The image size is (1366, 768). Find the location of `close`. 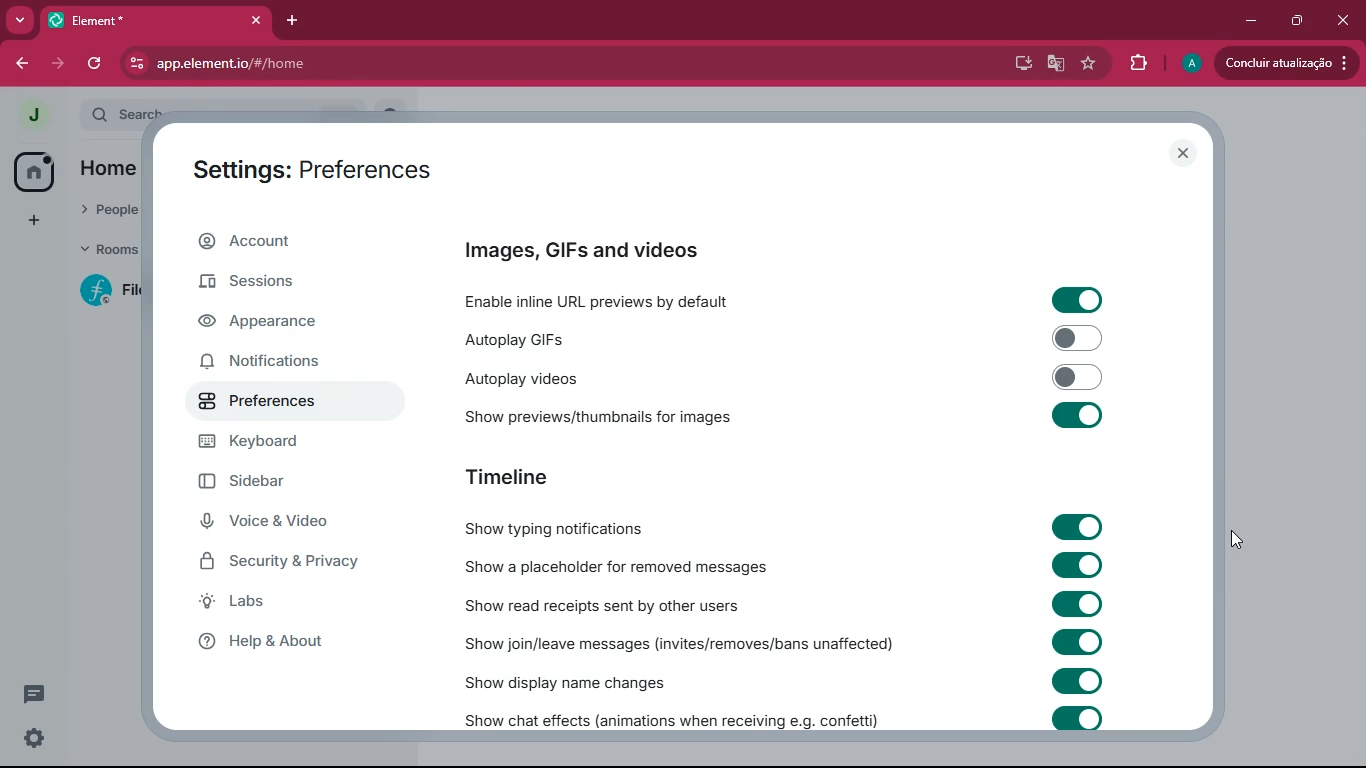

close is located at coordinates (1346, 20).